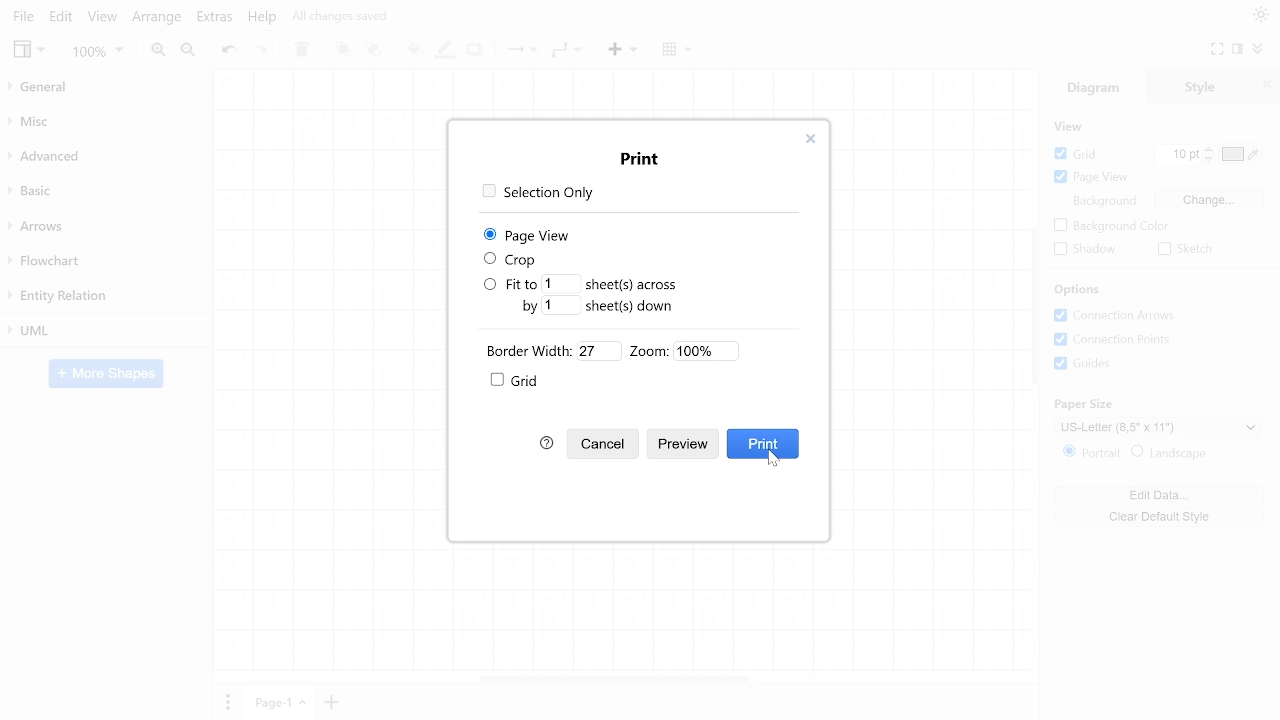  I want to click on Flowchart, so click(104, 261).